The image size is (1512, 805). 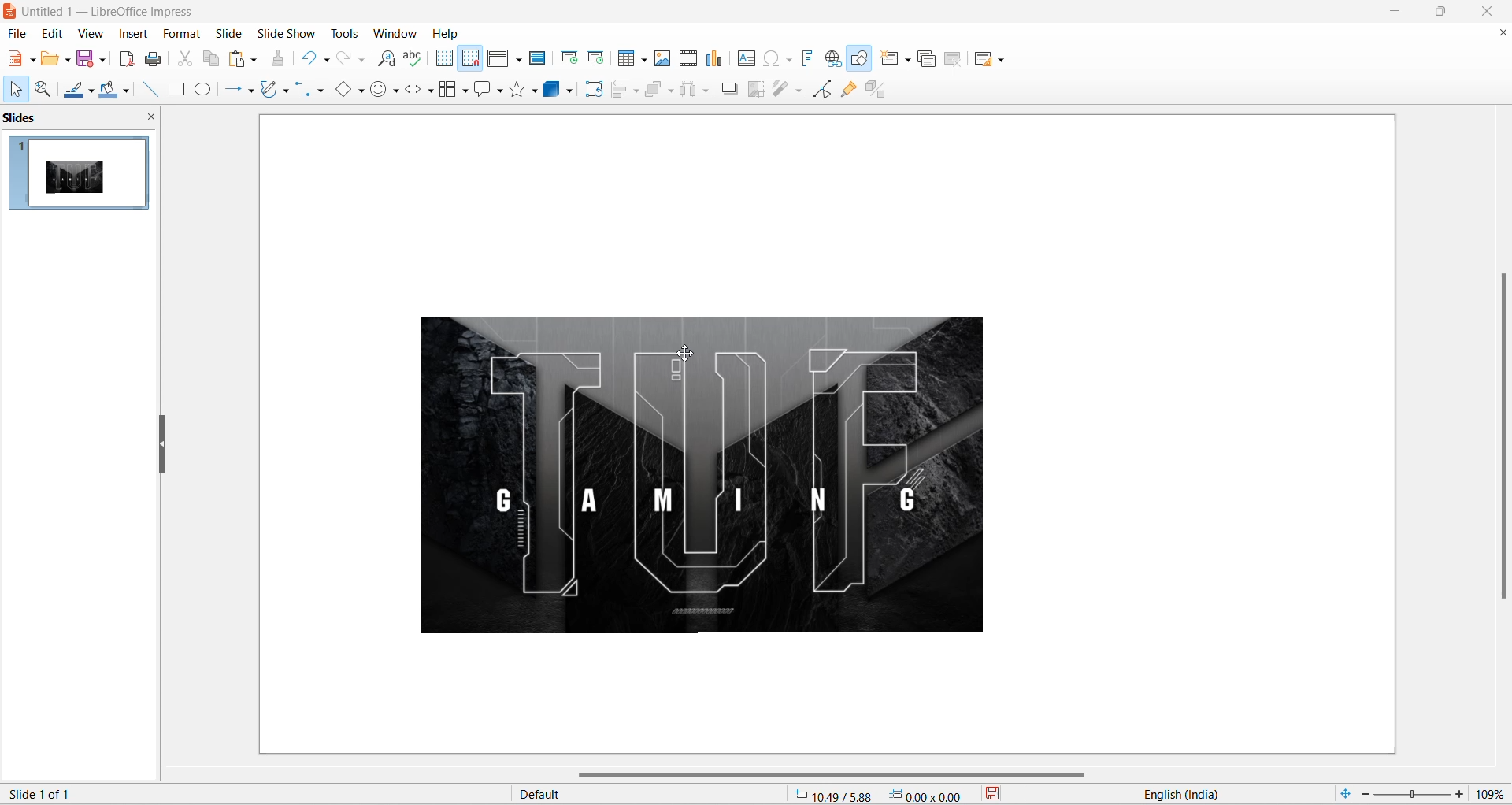 What do you see at coordinates (89, 33) in the screenshot?
I see `view` at bounding box center [89, 33].